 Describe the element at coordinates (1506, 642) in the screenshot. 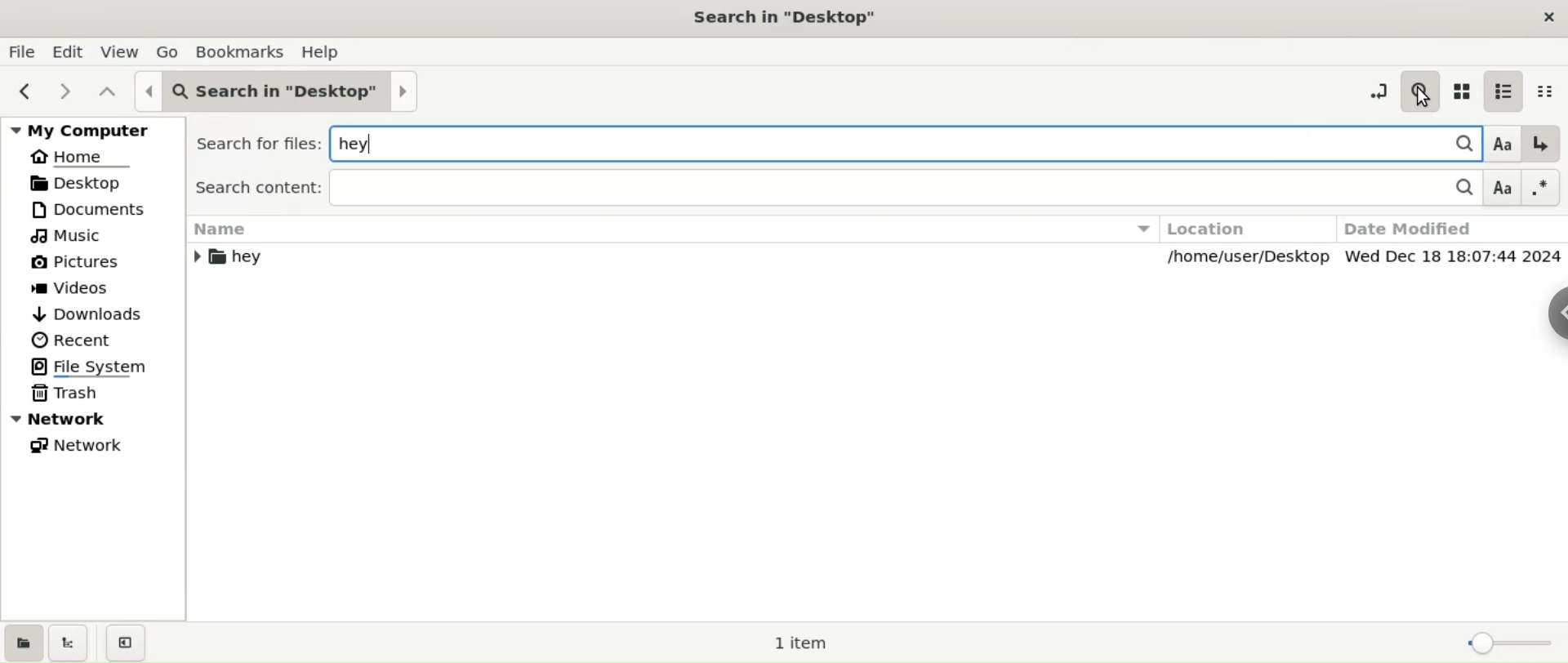

I see `zoom` at that location.